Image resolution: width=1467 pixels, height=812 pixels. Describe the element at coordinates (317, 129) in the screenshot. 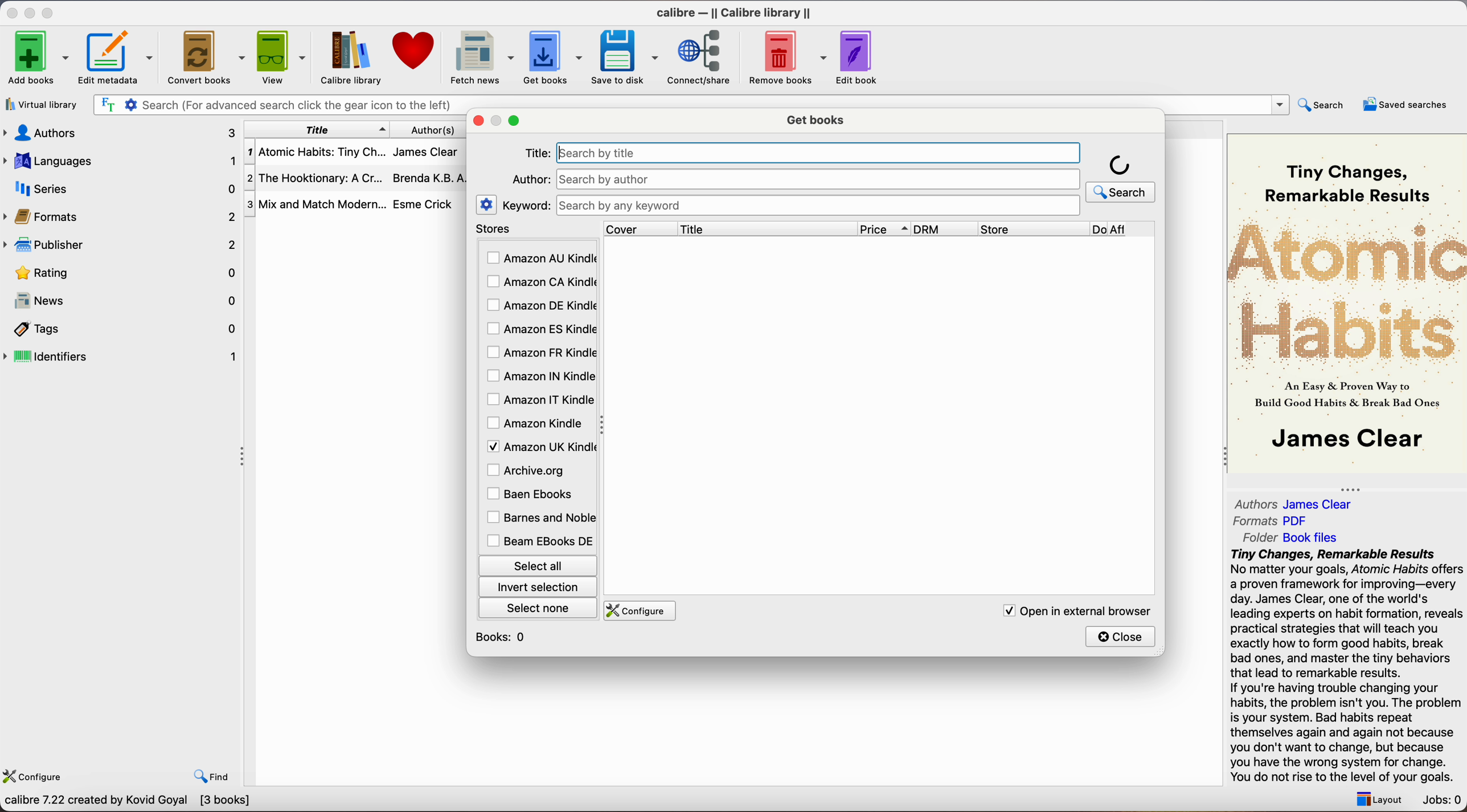

I see `title` at that location.